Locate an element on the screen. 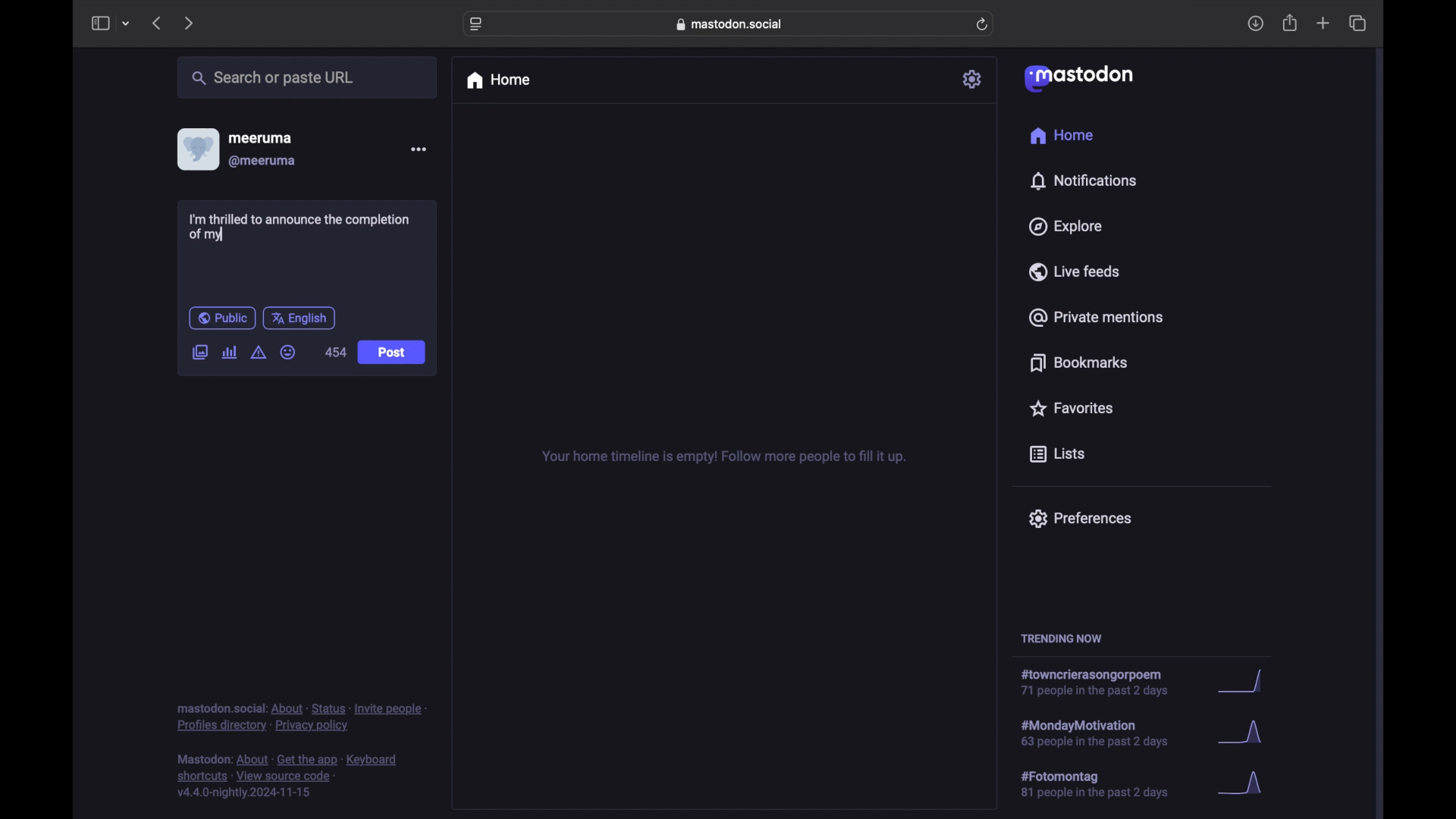  footnote is located at coordinates (301, 718).